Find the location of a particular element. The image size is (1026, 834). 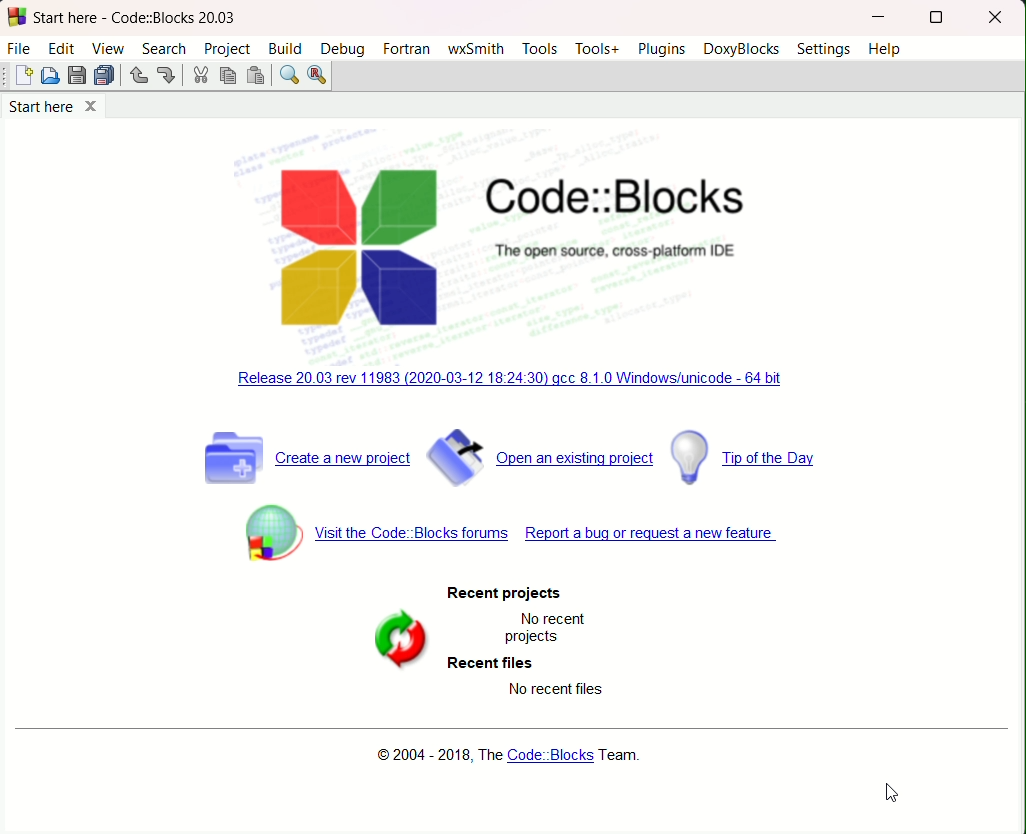

 is located at coordinates (138, 18).